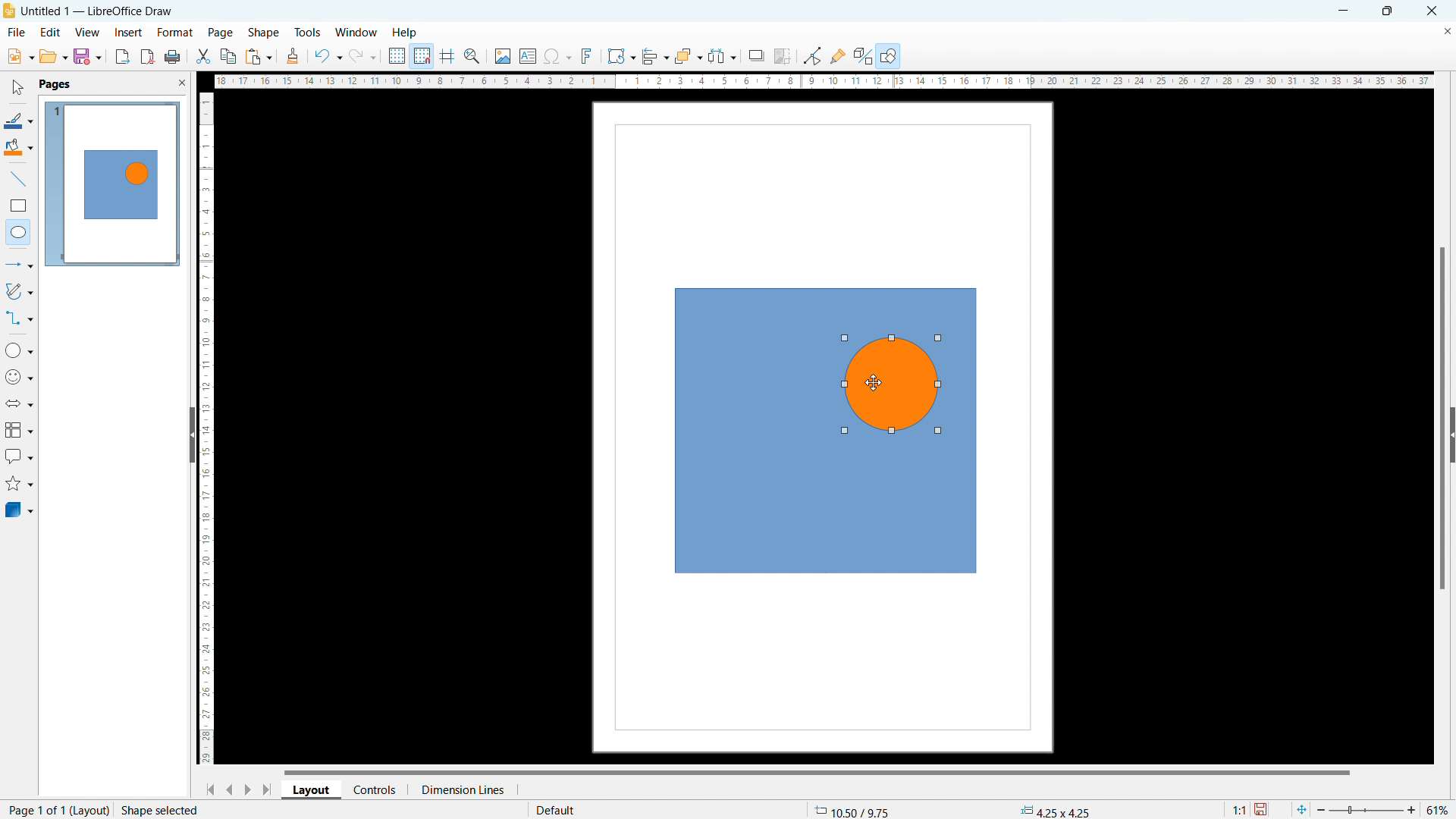 This screenshot has height=819, width=1456. What do you see at coordinates (15, 33) in the screenshot?
I see `file` at bounding box center [15, 33].